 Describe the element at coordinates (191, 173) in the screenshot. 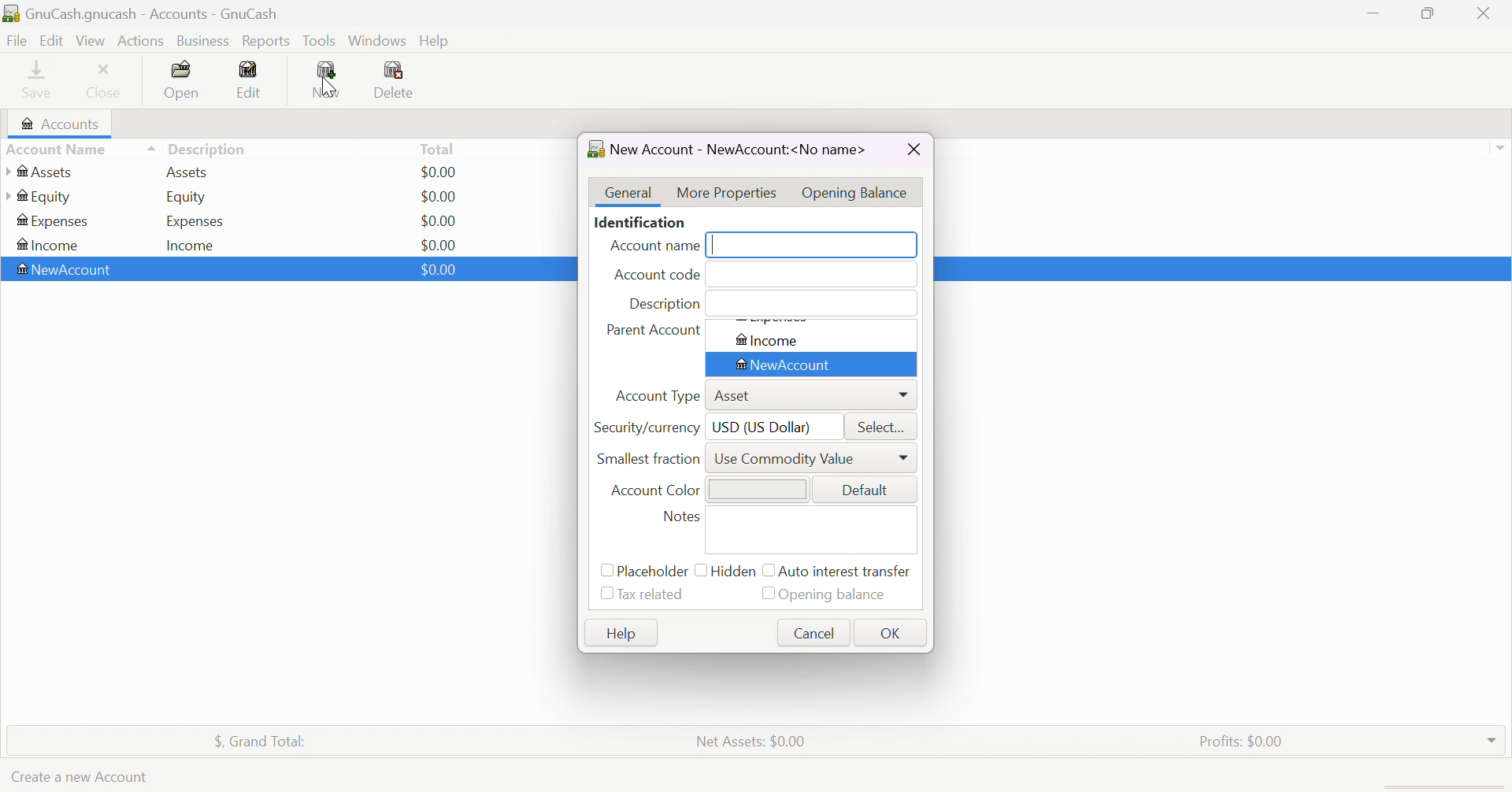

I see `Assets` at that location.